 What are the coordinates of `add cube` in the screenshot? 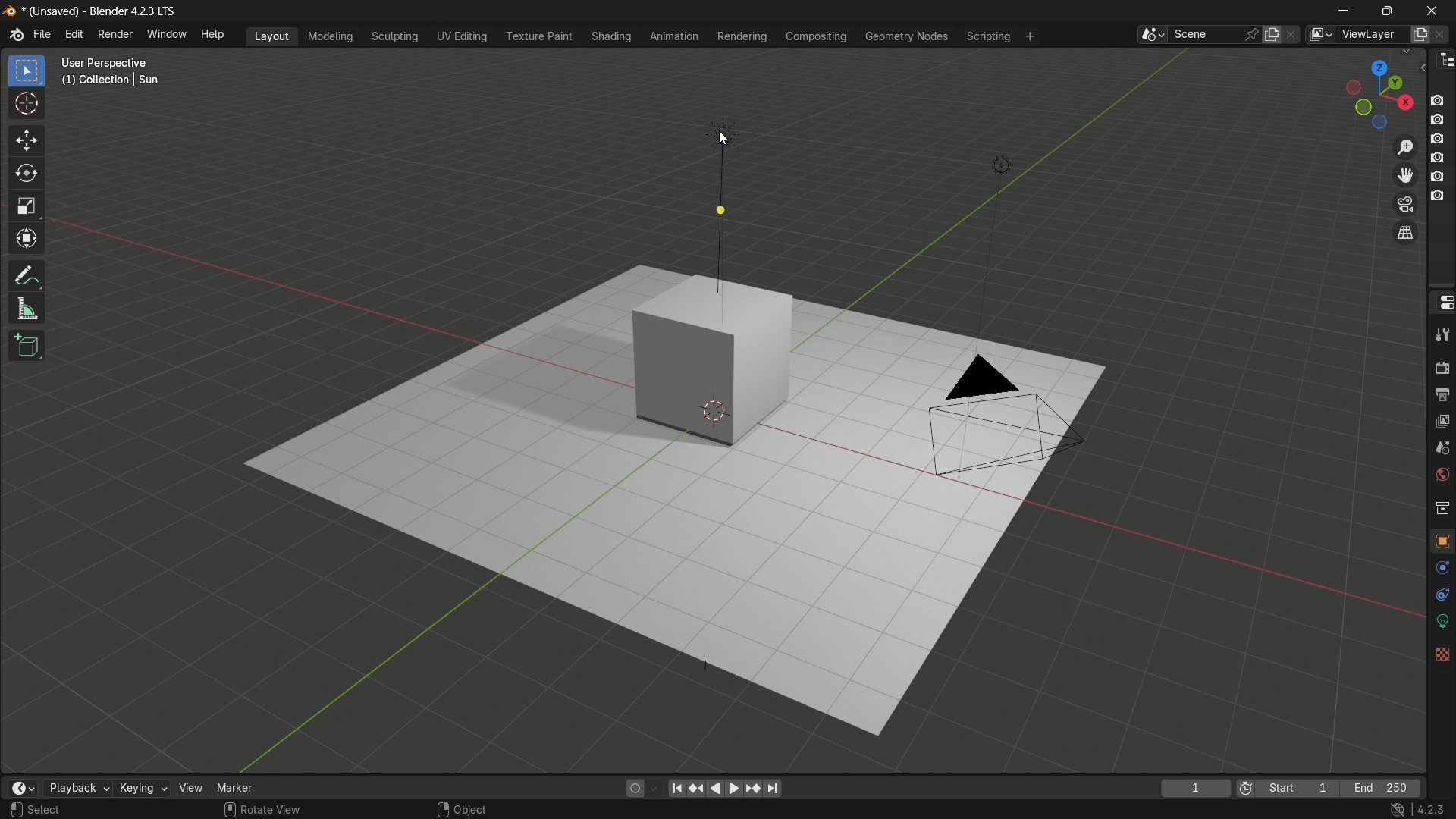 It's located at (29, 346).